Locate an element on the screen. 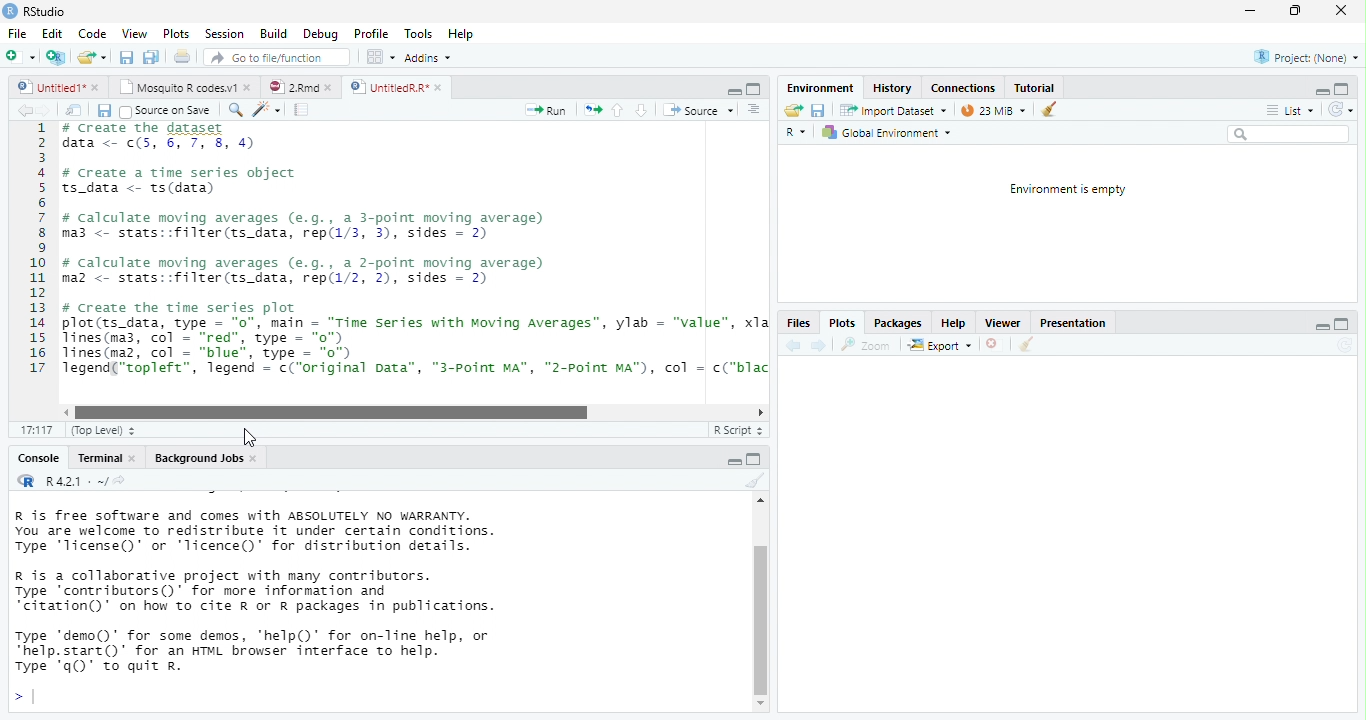 The image size is (1366, 720). save all open document is located at coordinates (126, 57).